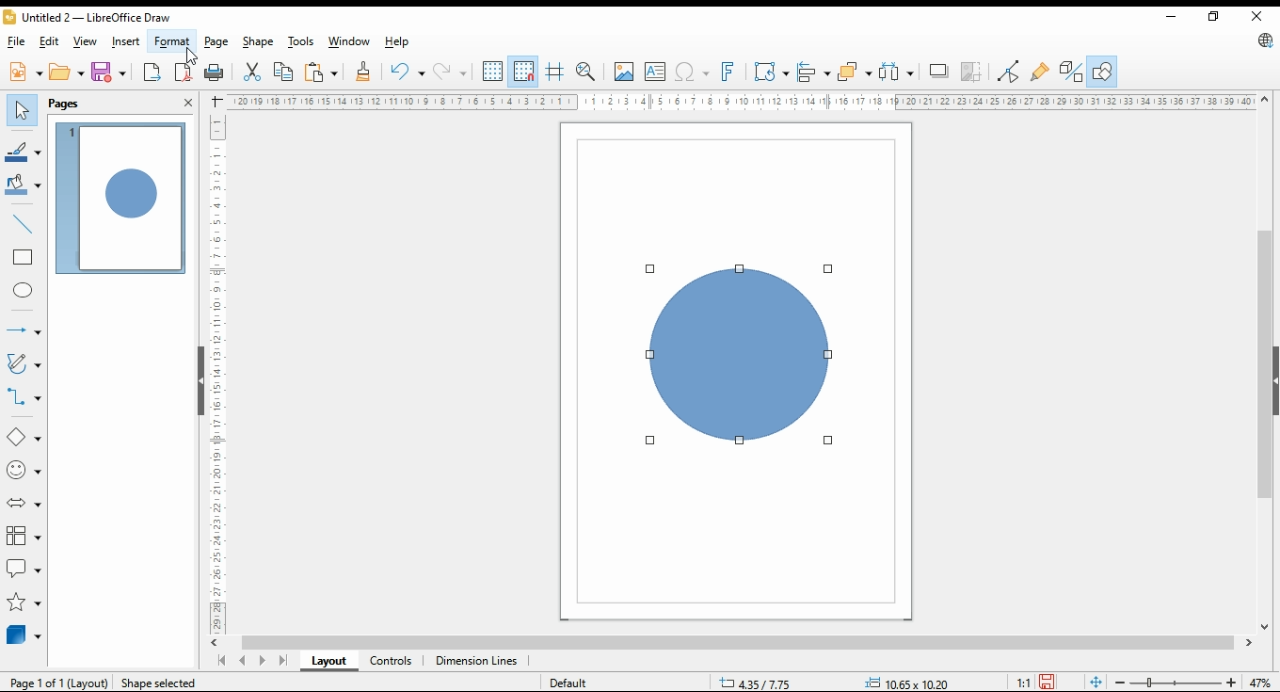 This screenshot has width=1280, height=692. I want to click on toggle extrusions, so click(1071, 70).